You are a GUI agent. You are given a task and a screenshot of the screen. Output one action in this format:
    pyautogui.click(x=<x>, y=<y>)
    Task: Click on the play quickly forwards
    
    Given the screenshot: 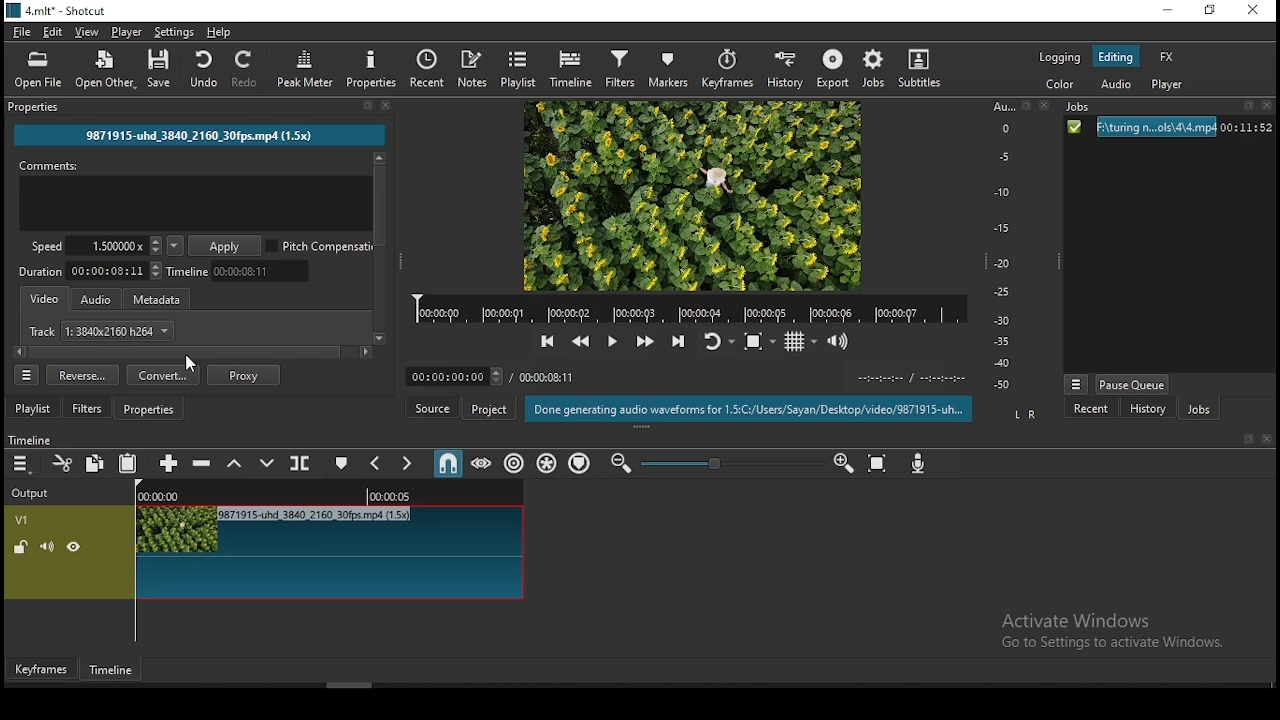 What is the action you would take?
    pyautogui.click(x=649, y=341)
    